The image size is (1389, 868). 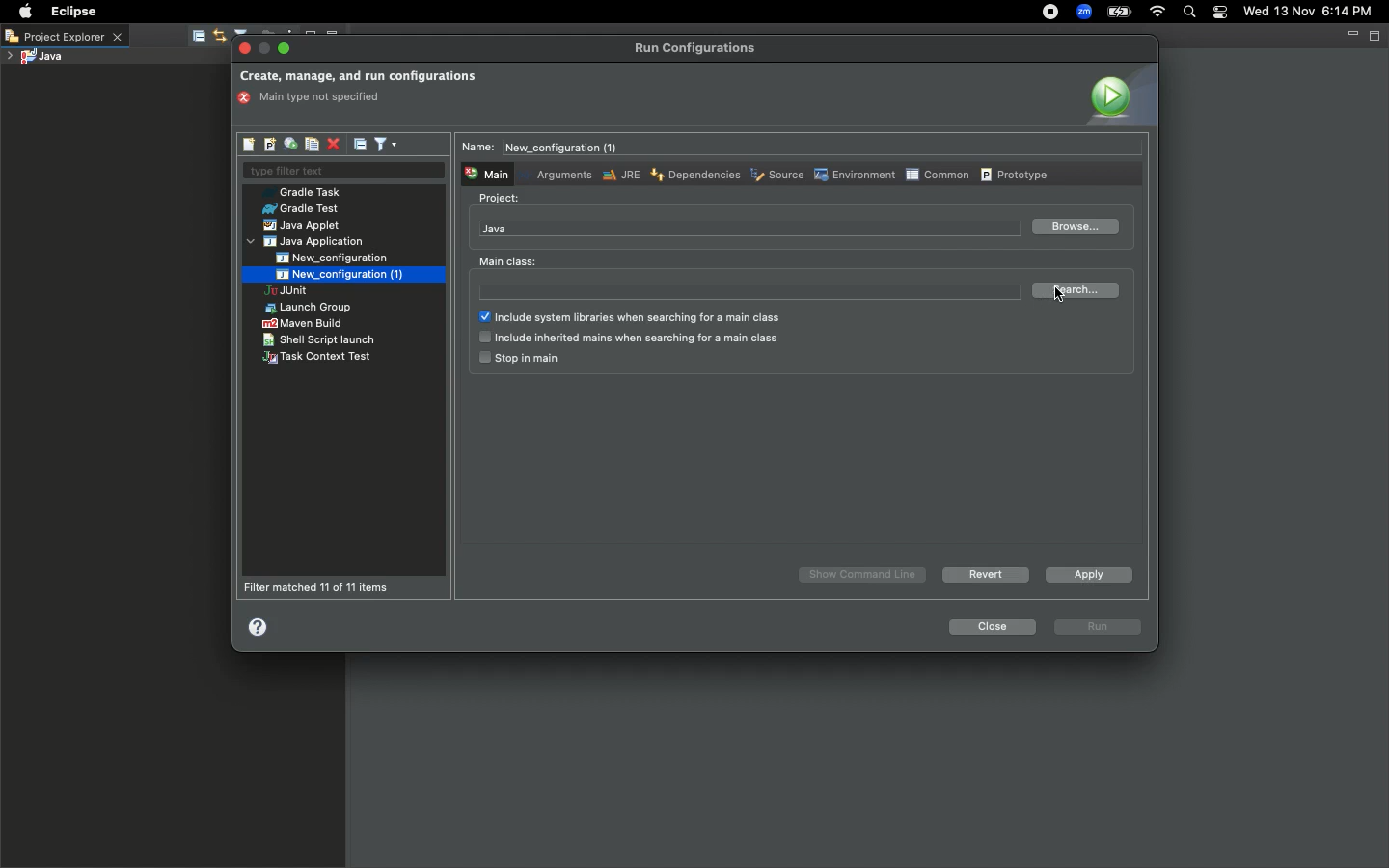 I want to click on main type not specified, so click(x=315, y=98).